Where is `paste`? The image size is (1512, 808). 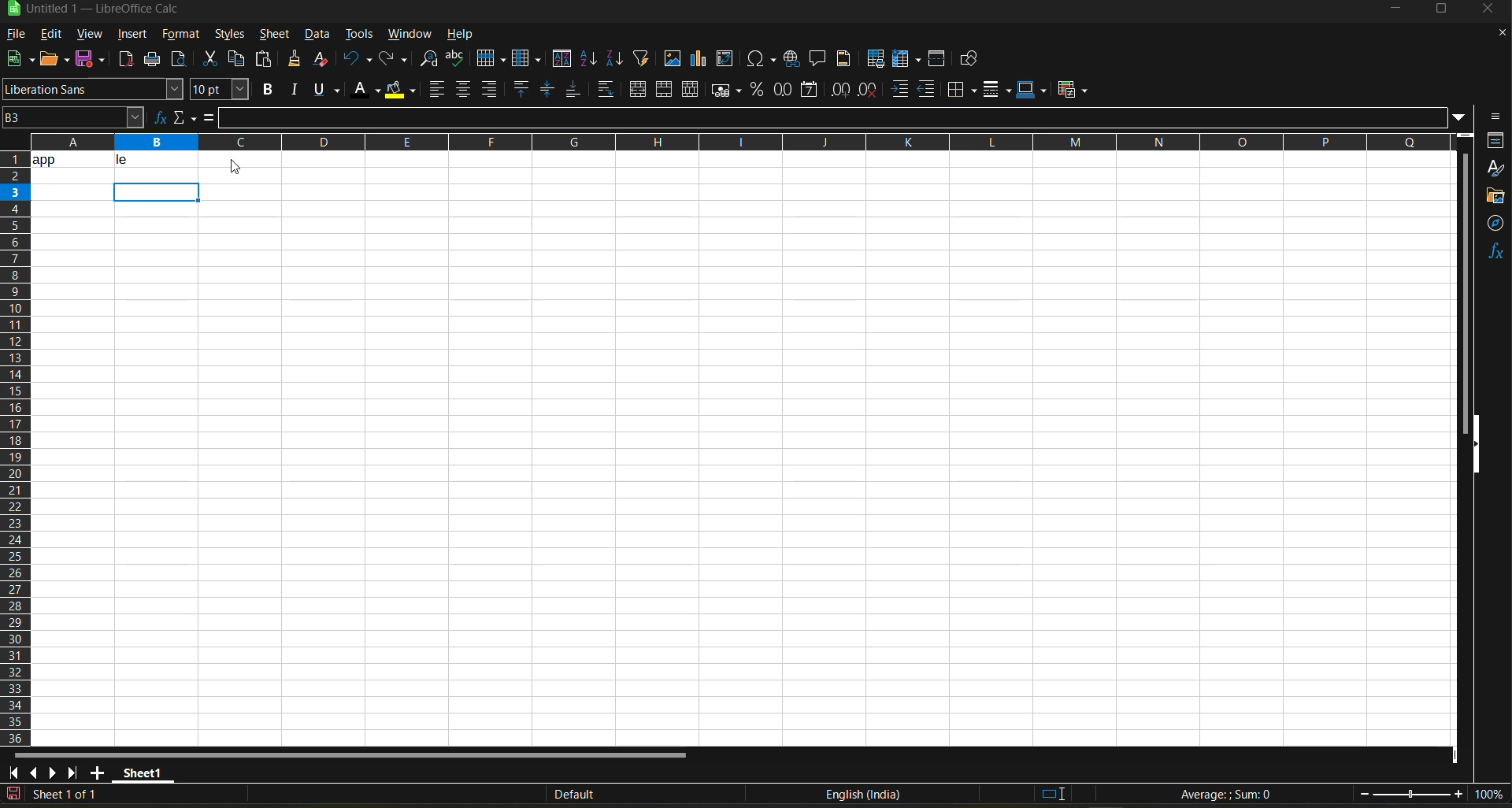
paste is located at coordinates (265, 61).